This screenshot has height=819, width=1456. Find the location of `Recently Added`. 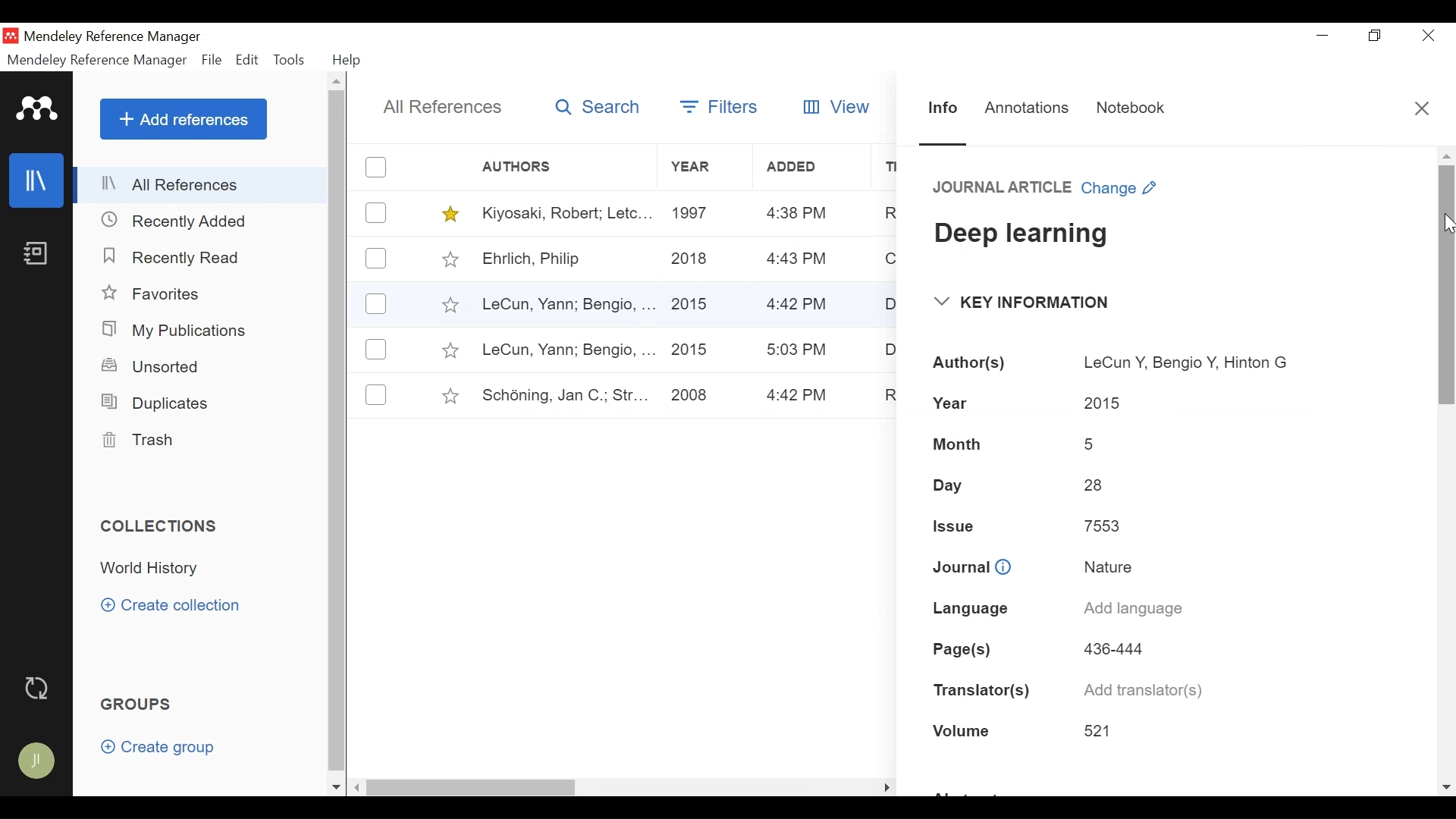

Recently Added is located at coordinates (181, 220).